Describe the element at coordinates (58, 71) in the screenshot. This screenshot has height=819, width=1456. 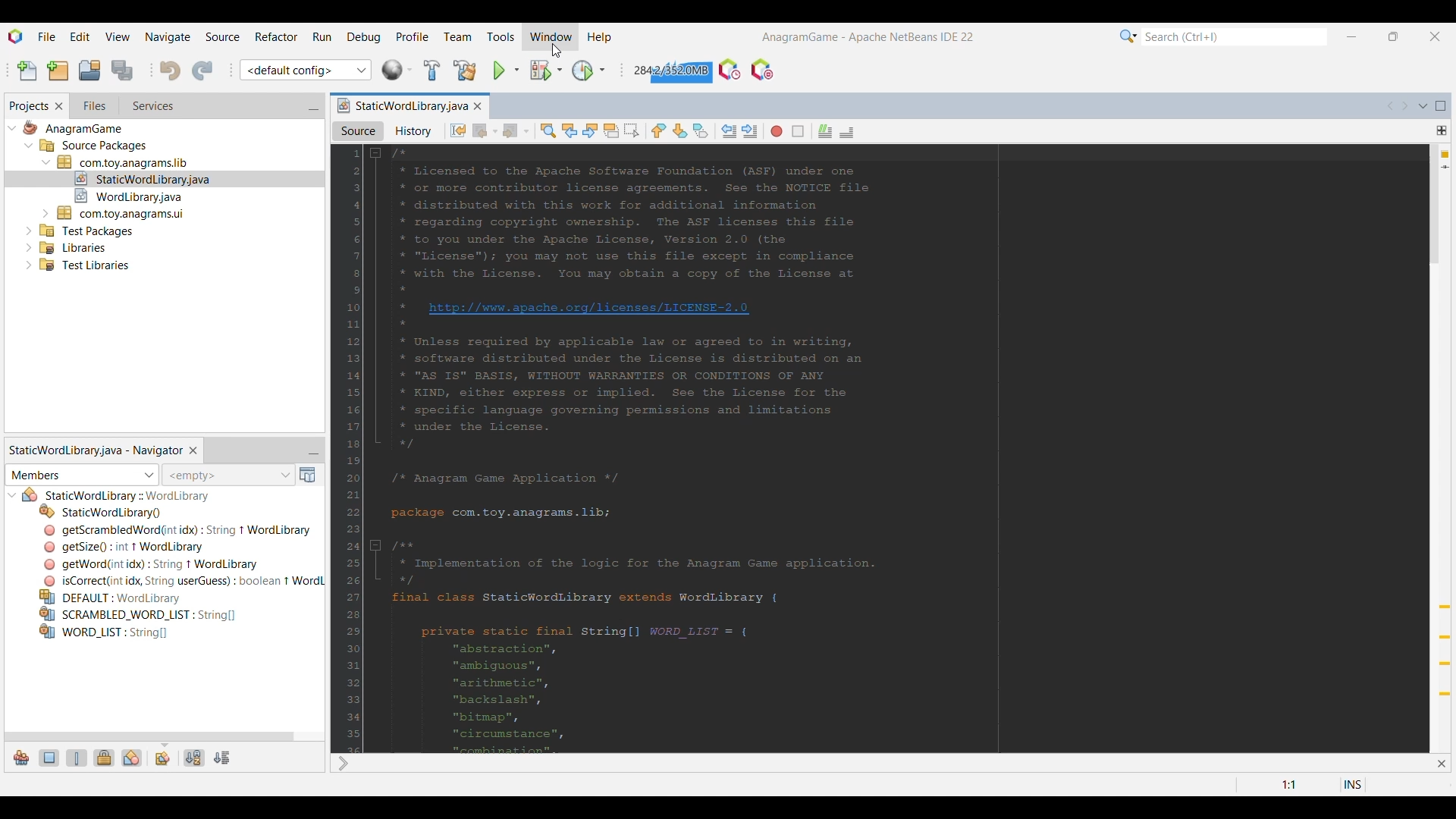
I see `New project` at that location.